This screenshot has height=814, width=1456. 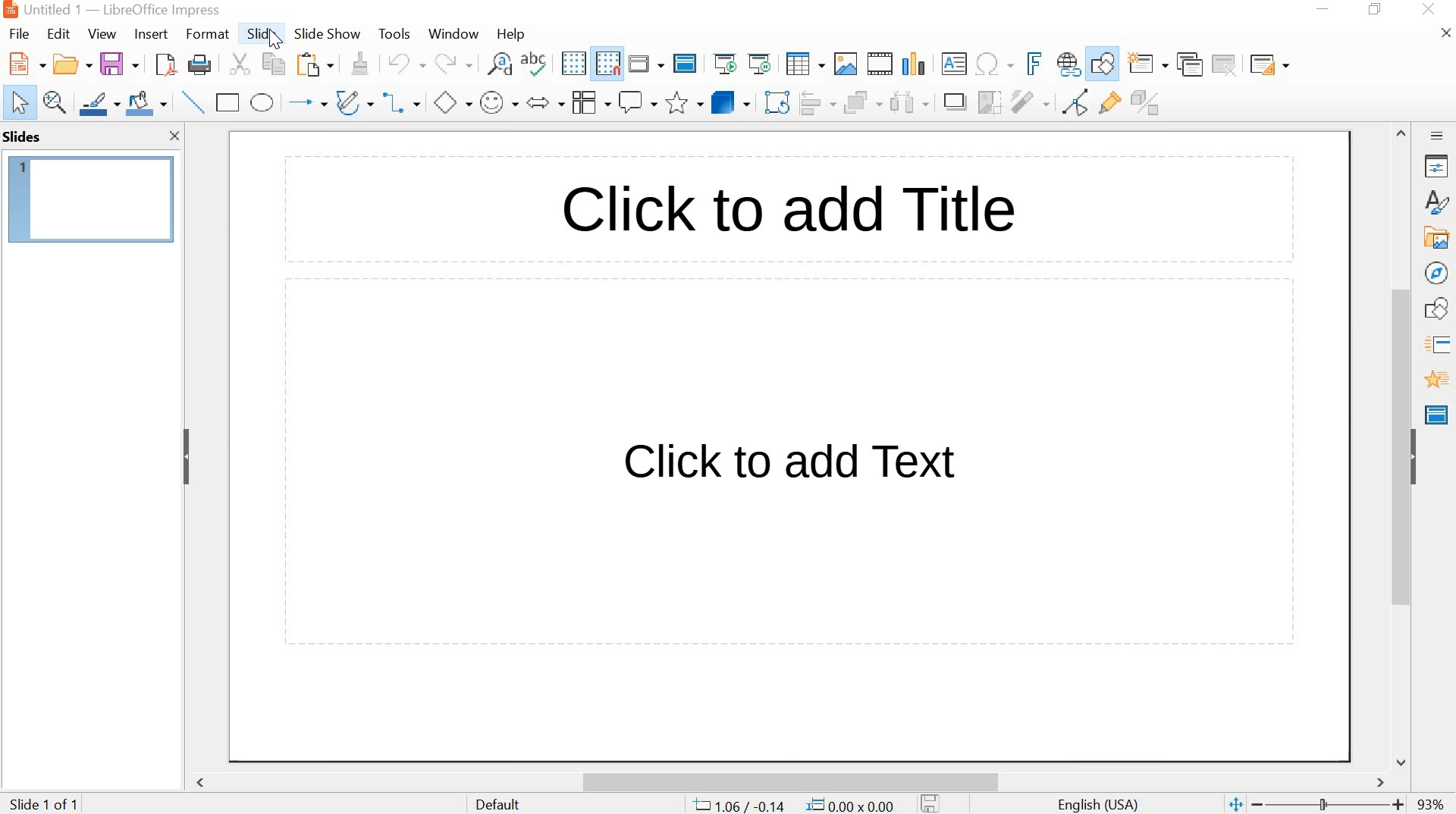 I want to click on DEFAULT, so click(x=510, y=803).